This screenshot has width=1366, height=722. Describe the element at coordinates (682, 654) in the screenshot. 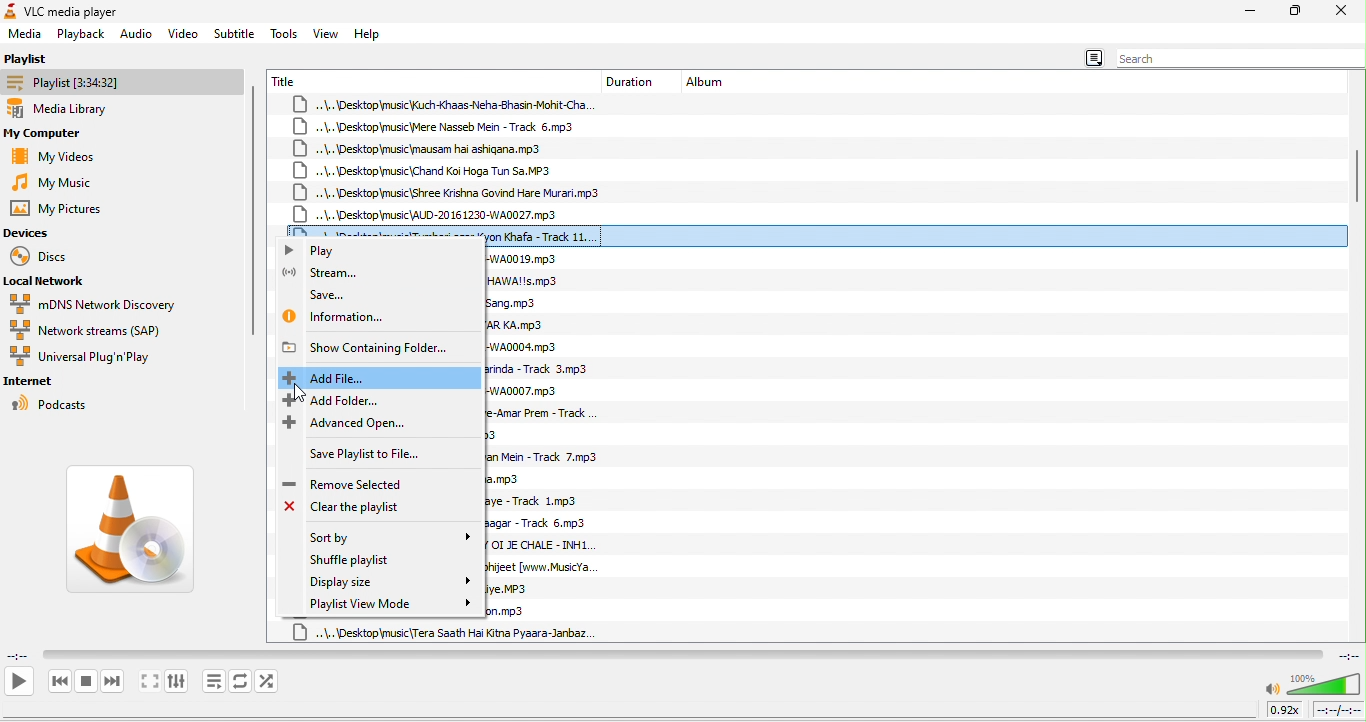

I see `video playback` at that location.